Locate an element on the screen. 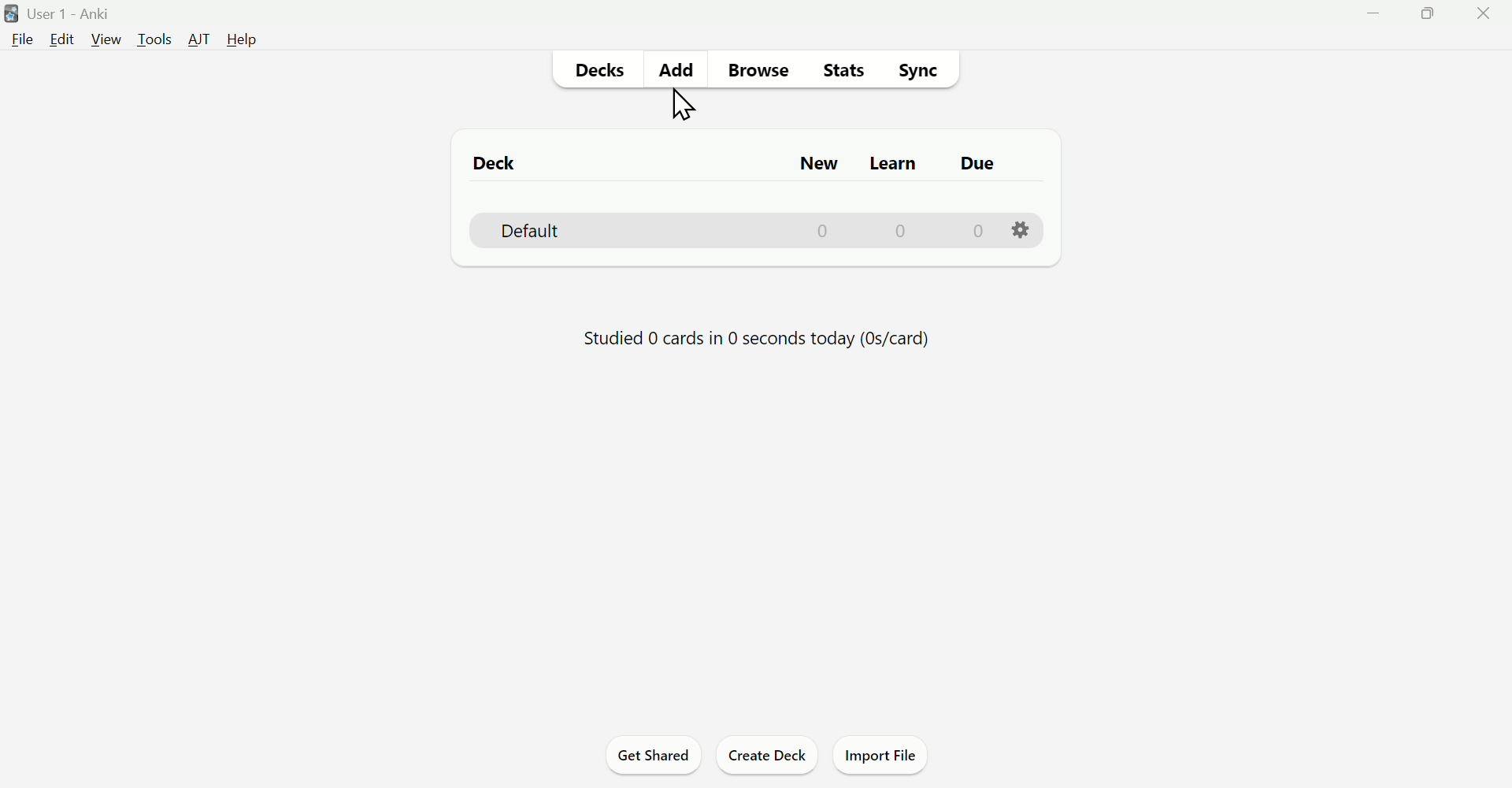  <inimize is located at coordinates (1373, 13).